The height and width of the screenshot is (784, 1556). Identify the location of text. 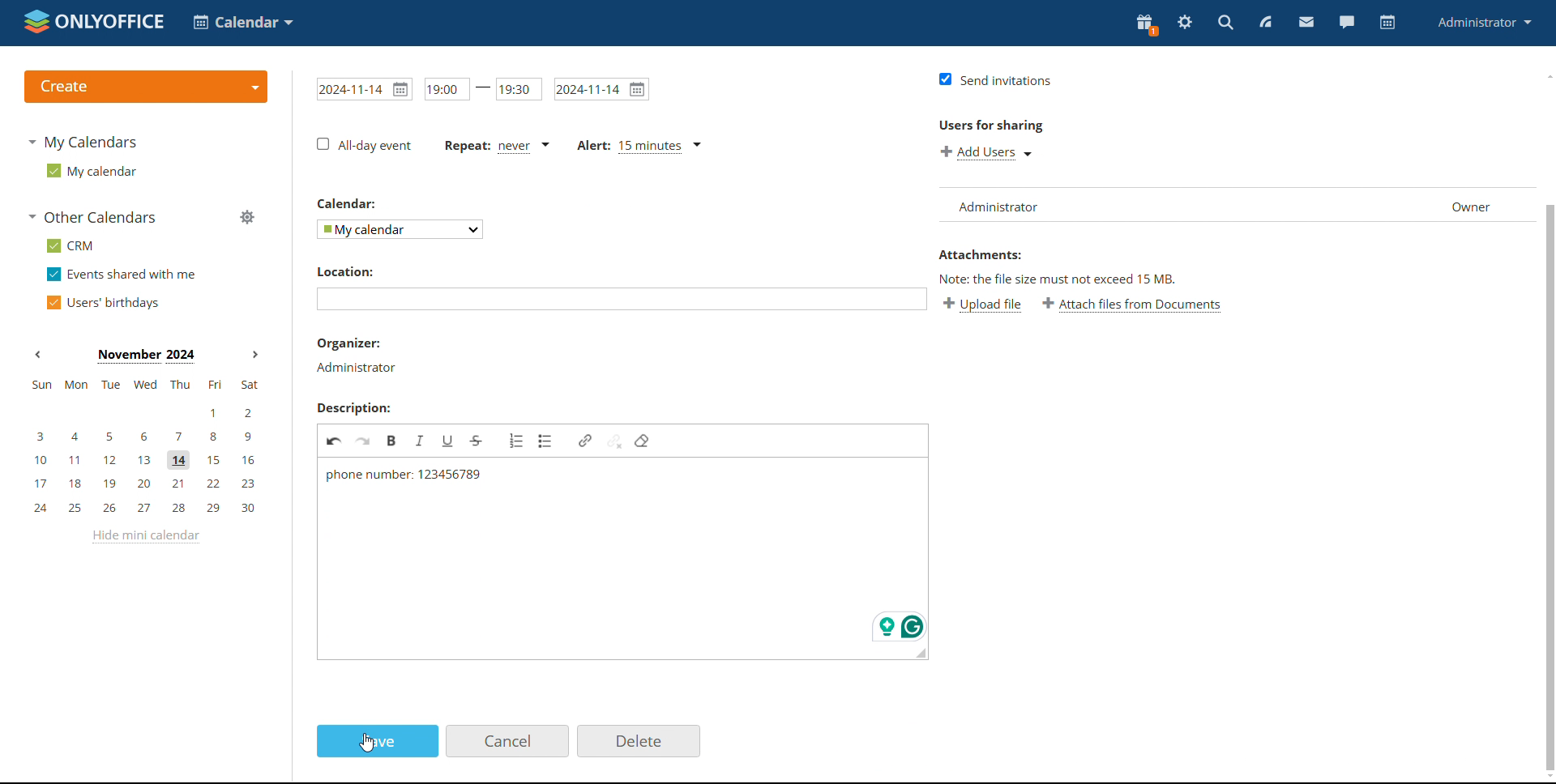
(498, 146).